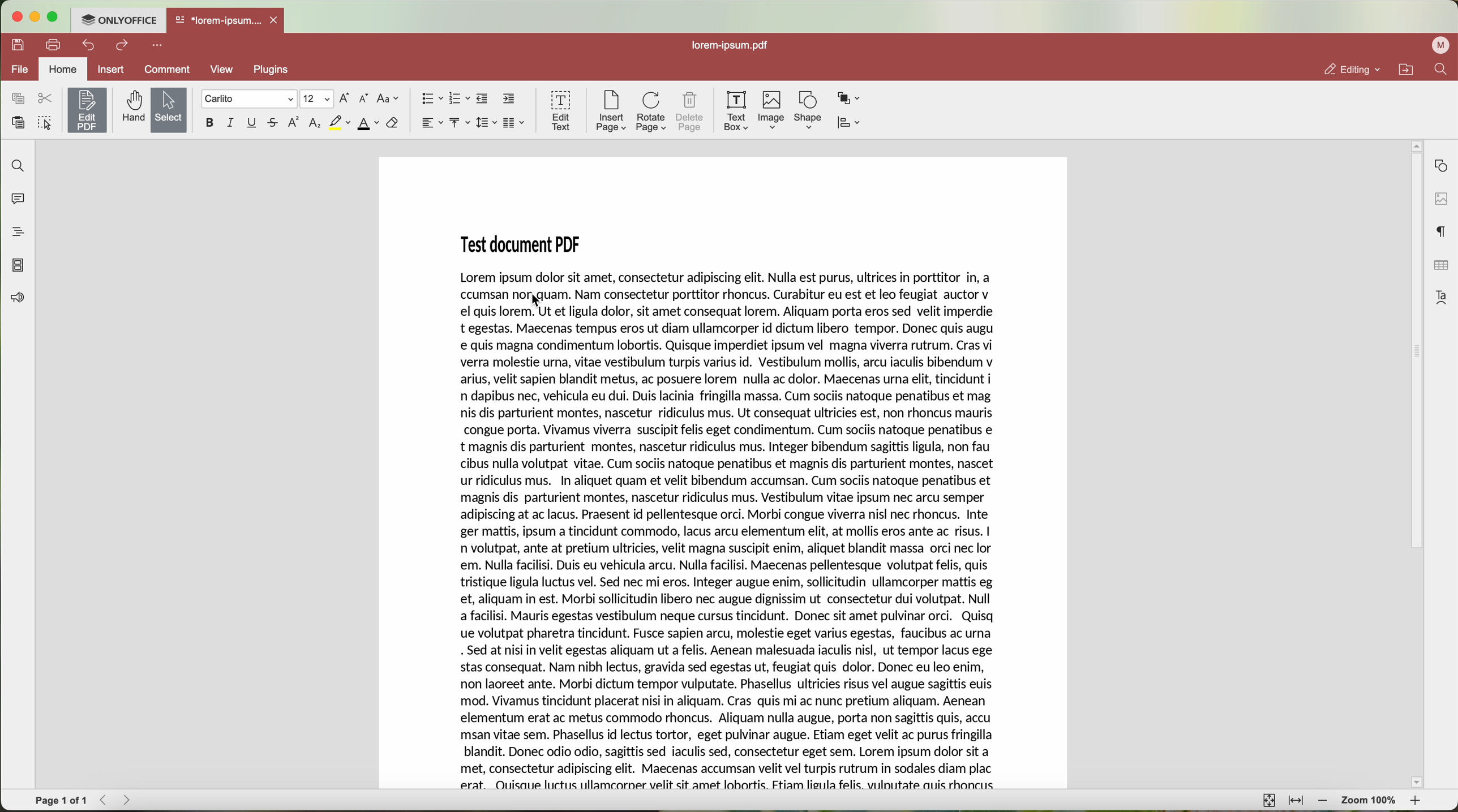 The image size is (1458, 812). Describe the element at coordinates (1370, 801) in the screenshot. I see `zoom 100%` at that location.